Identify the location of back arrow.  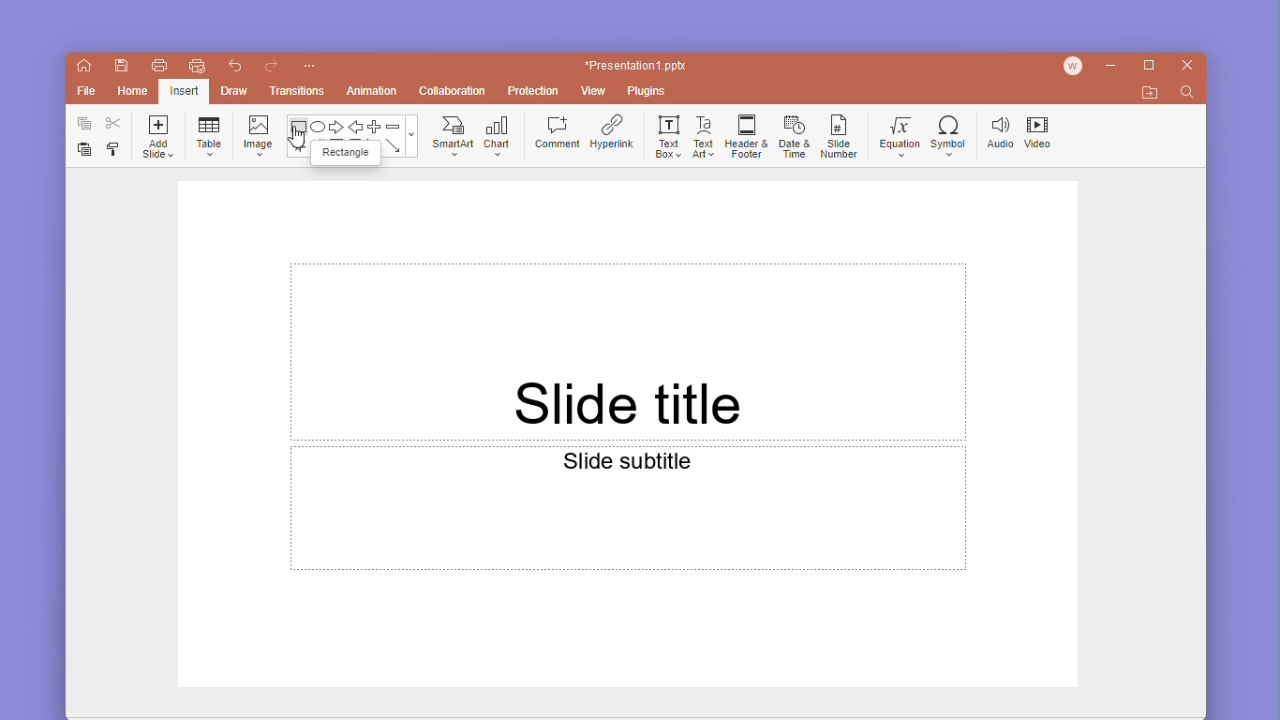
(354, 125).